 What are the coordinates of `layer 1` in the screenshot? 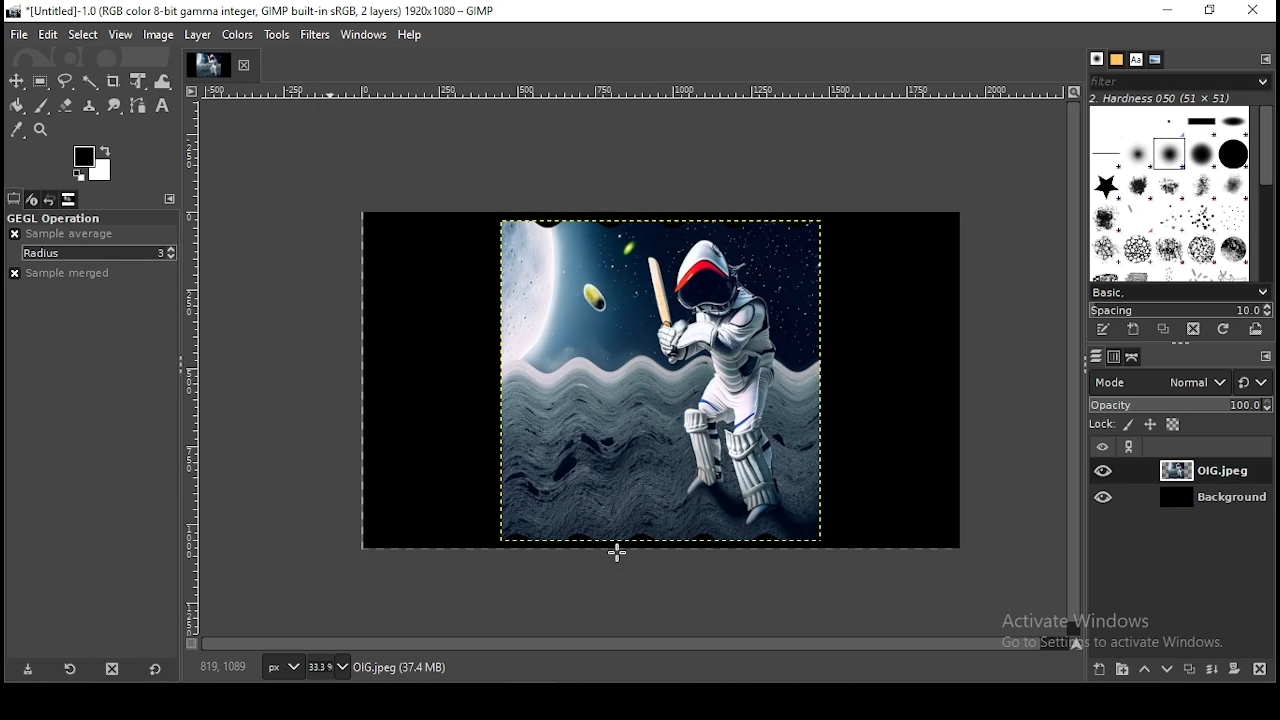 It's located at (1196, 471).